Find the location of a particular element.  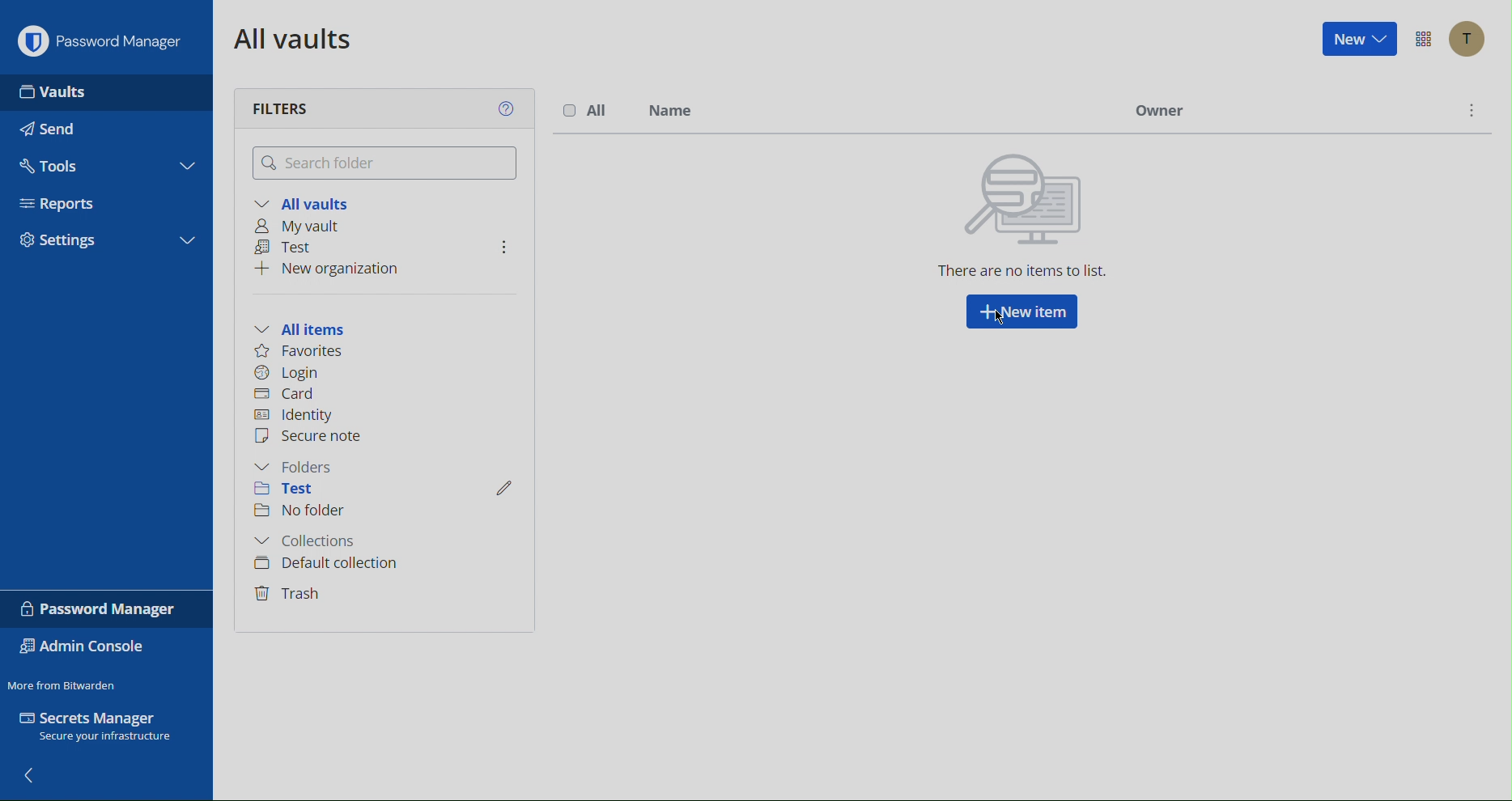

Filters is located at coordinates (281, 110).